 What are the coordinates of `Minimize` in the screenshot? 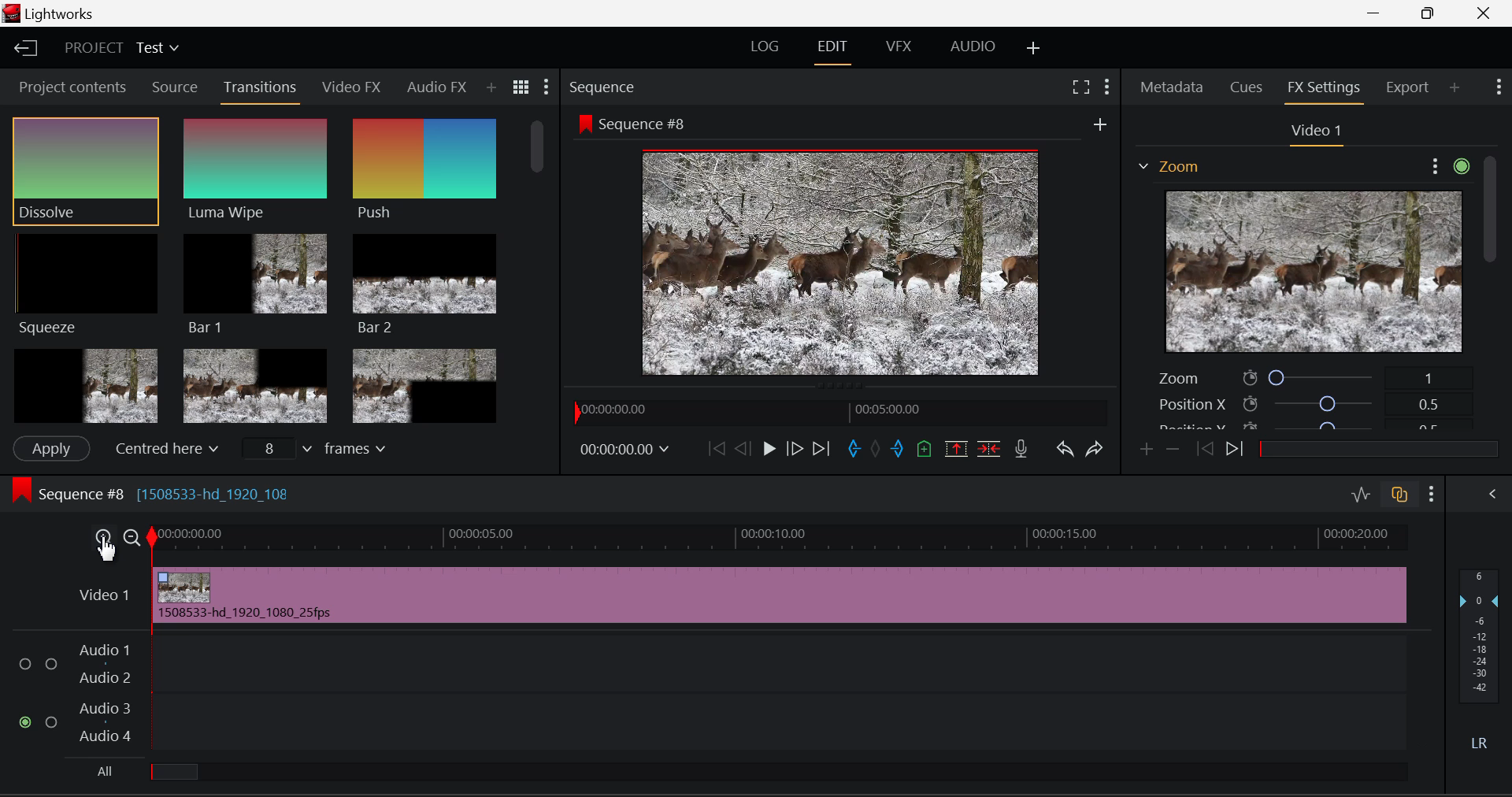 It's located at (1430, 13).